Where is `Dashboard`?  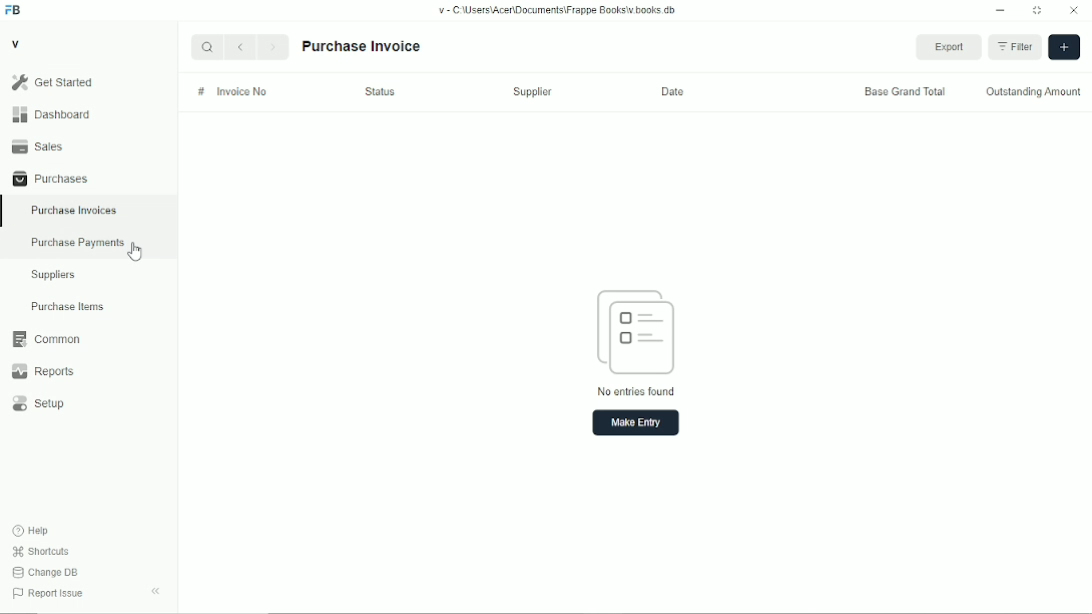 Dashboard is located at coordinates (88, 114).